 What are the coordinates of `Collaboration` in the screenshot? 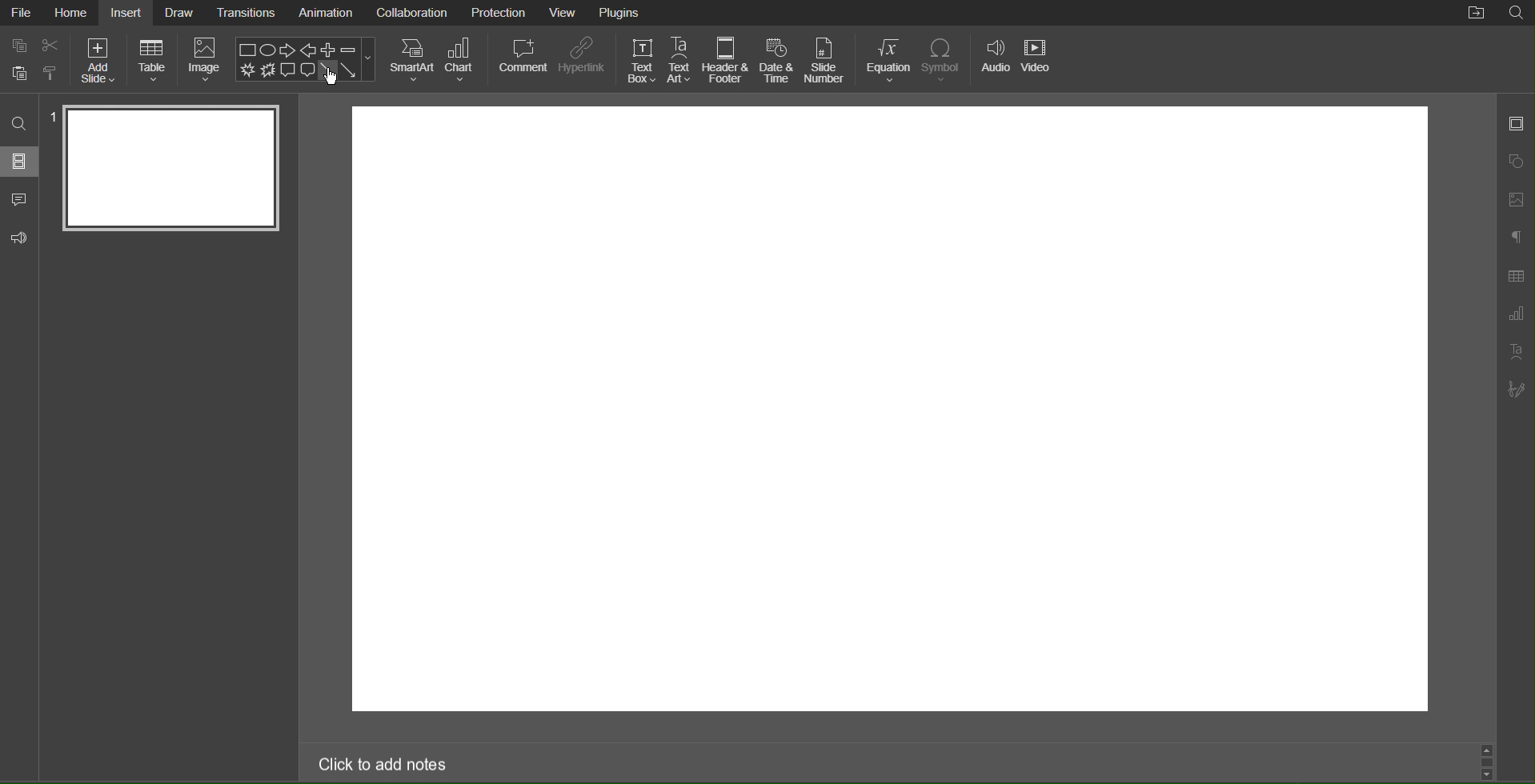 It's located at (410, 13).